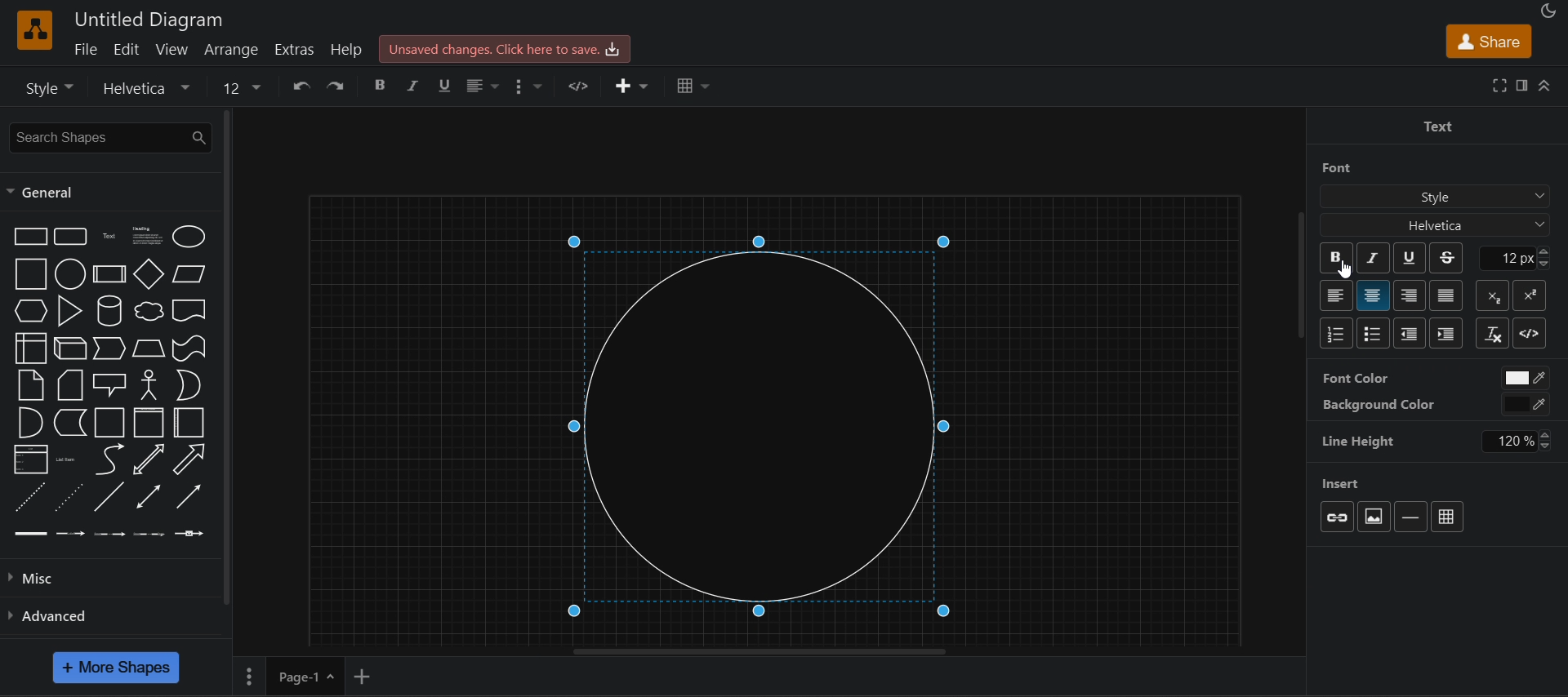 Image resolution: width=1568 pixels, height=697 pixels. I want to click on trapezoid, so click(150, 352).